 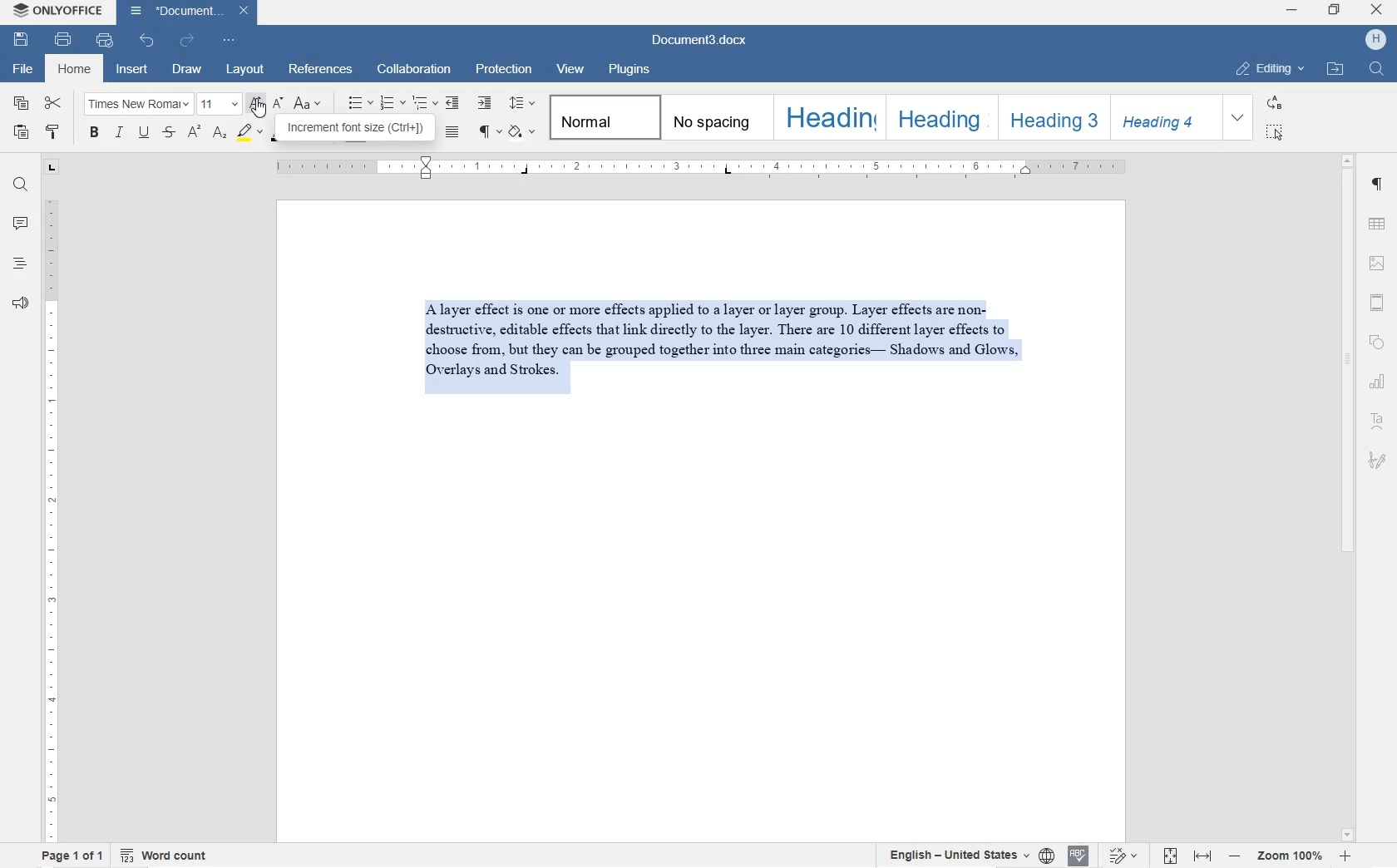 What do you see at coordinates (719, 351) in the screenshot?
I see `a block of text written by the user on the input field of the word document highlighted` at bounding box center [719, 351].